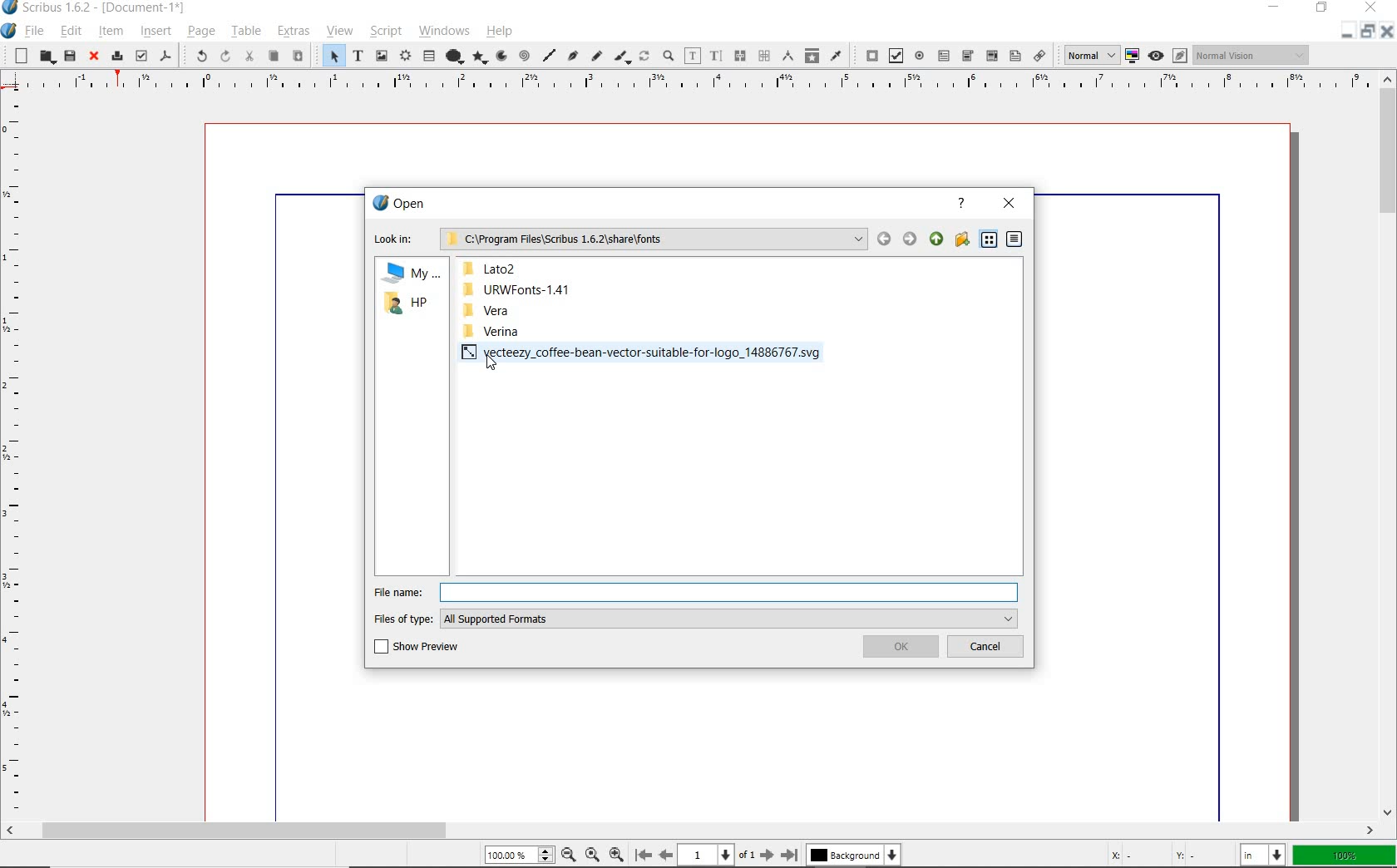 This screenshot has height=868, width=1397. I want to click on paste, so click(297, 55).